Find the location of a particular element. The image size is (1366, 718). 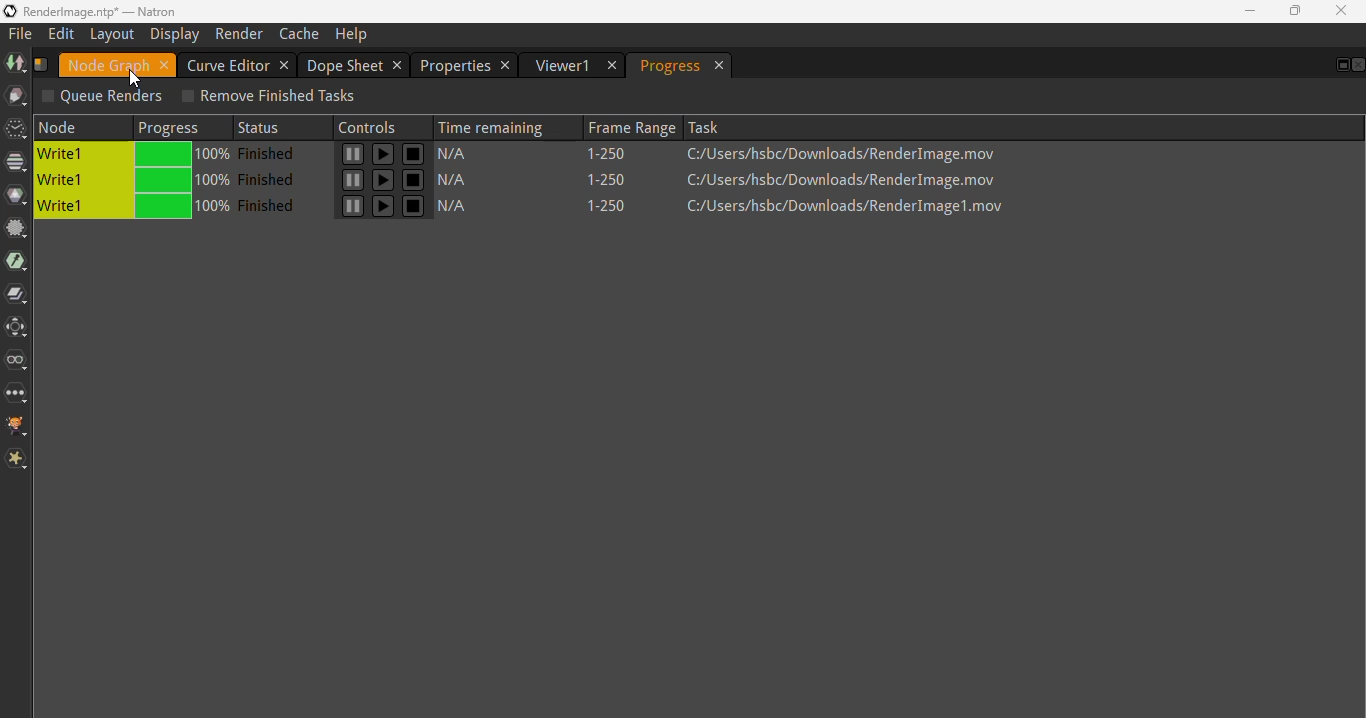

remove finished tasks is located at coordinates (267, 97).